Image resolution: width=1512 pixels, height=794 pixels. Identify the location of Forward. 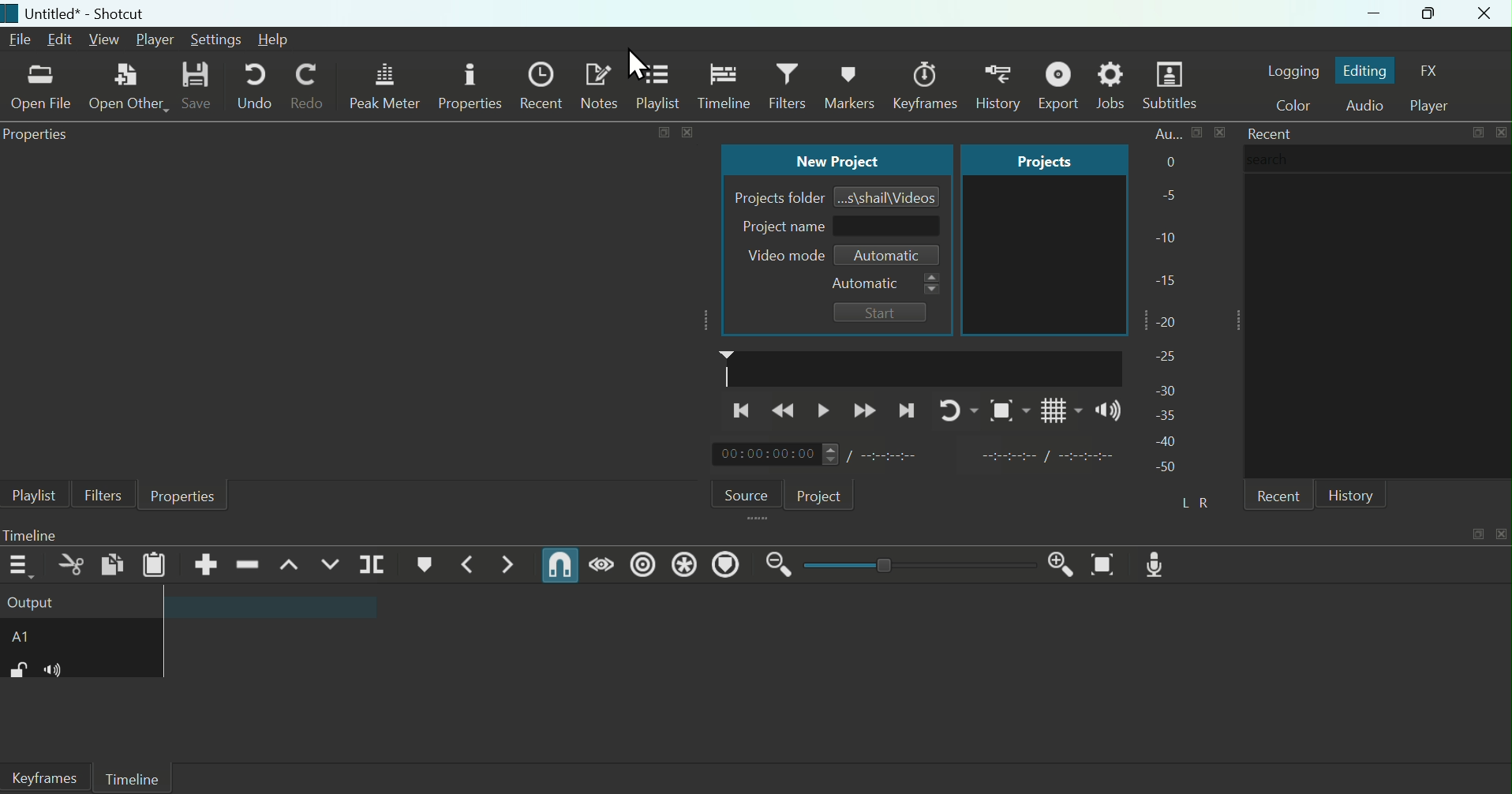
(866, 409).